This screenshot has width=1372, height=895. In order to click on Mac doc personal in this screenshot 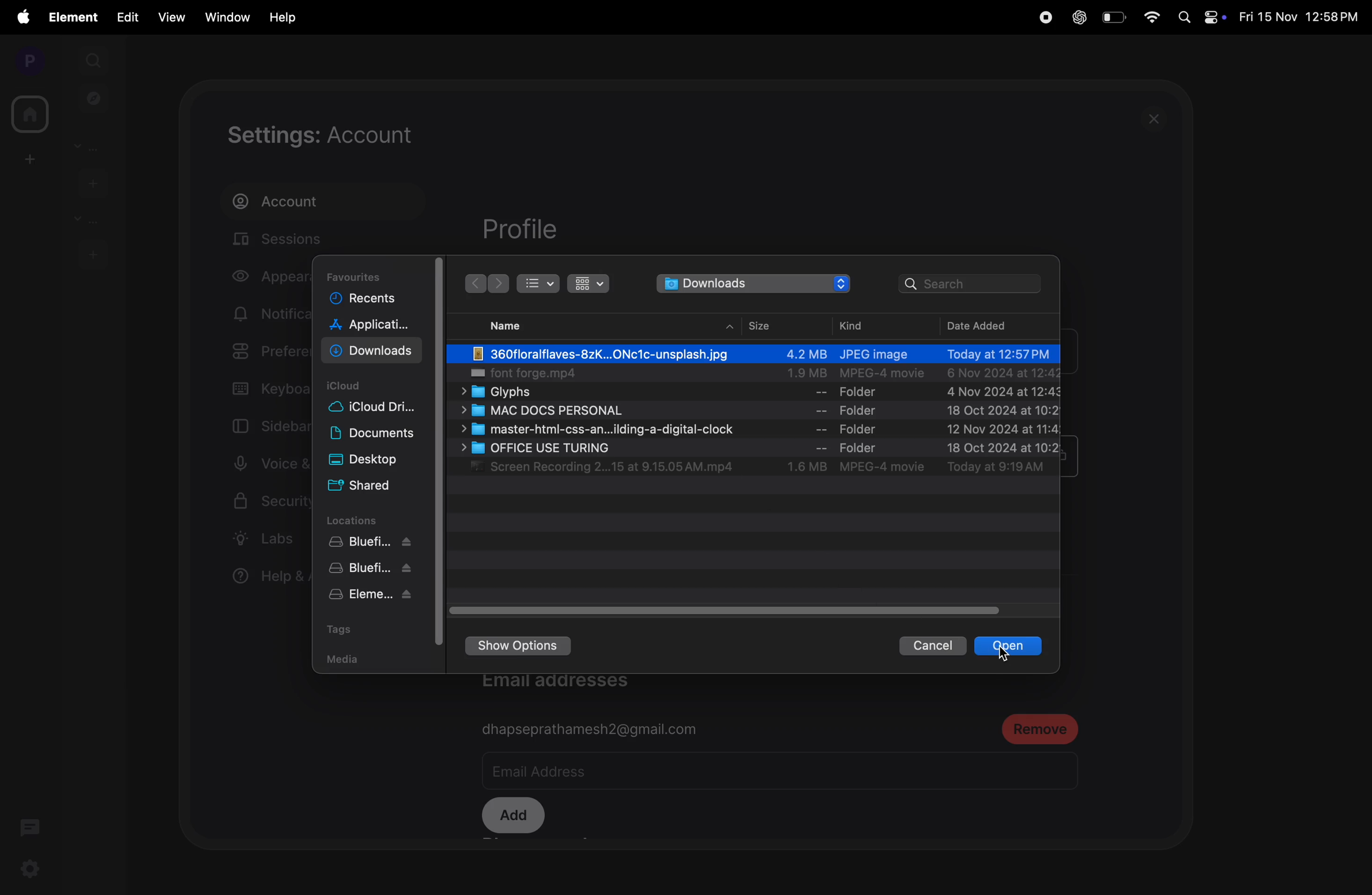, I will do `click(766, 412)`.